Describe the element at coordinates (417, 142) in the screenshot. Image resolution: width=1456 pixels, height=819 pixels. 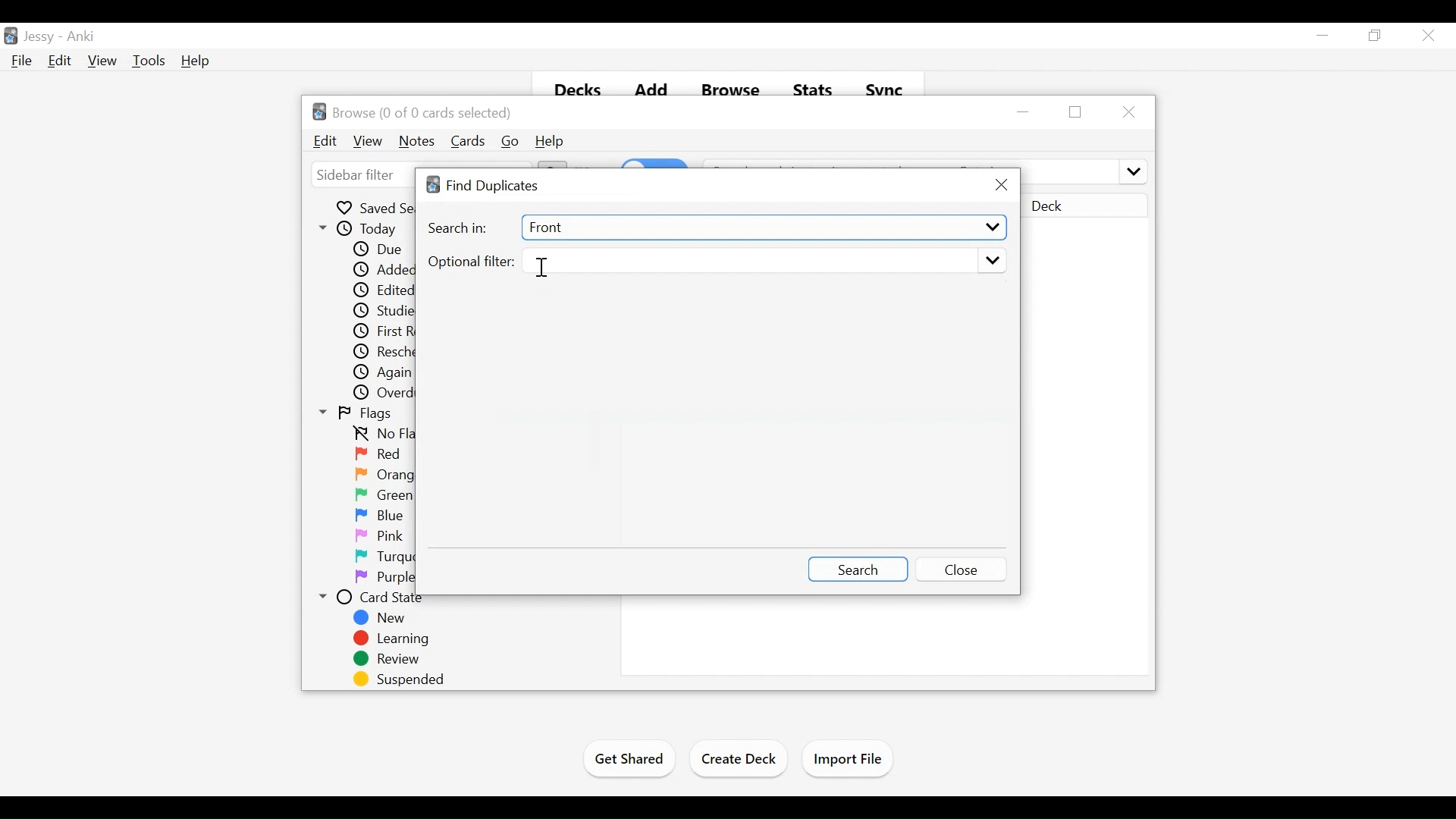
I see `Notes` at that location.